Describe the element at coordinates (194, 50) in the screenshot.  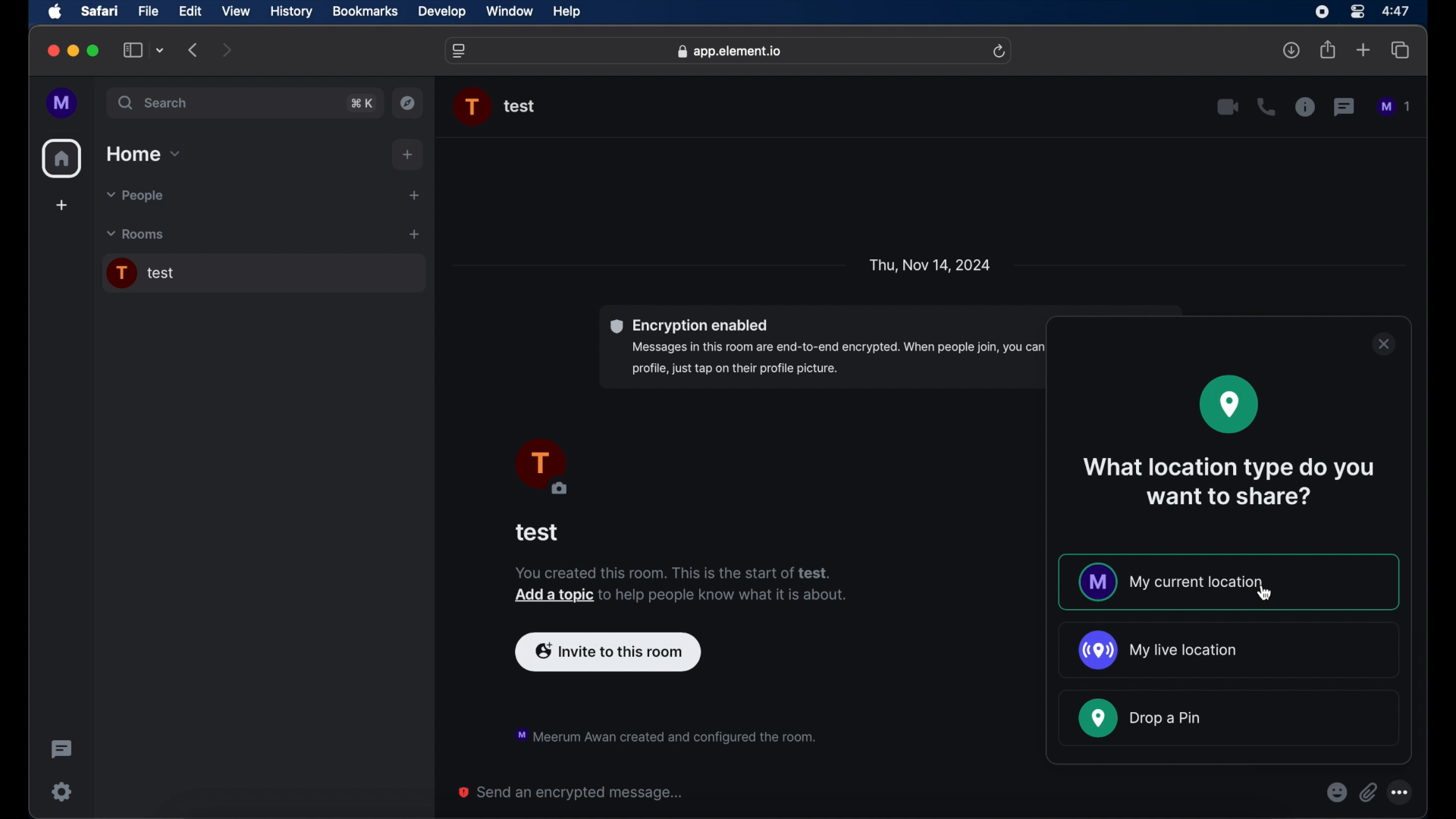
I see `previous` at that location.